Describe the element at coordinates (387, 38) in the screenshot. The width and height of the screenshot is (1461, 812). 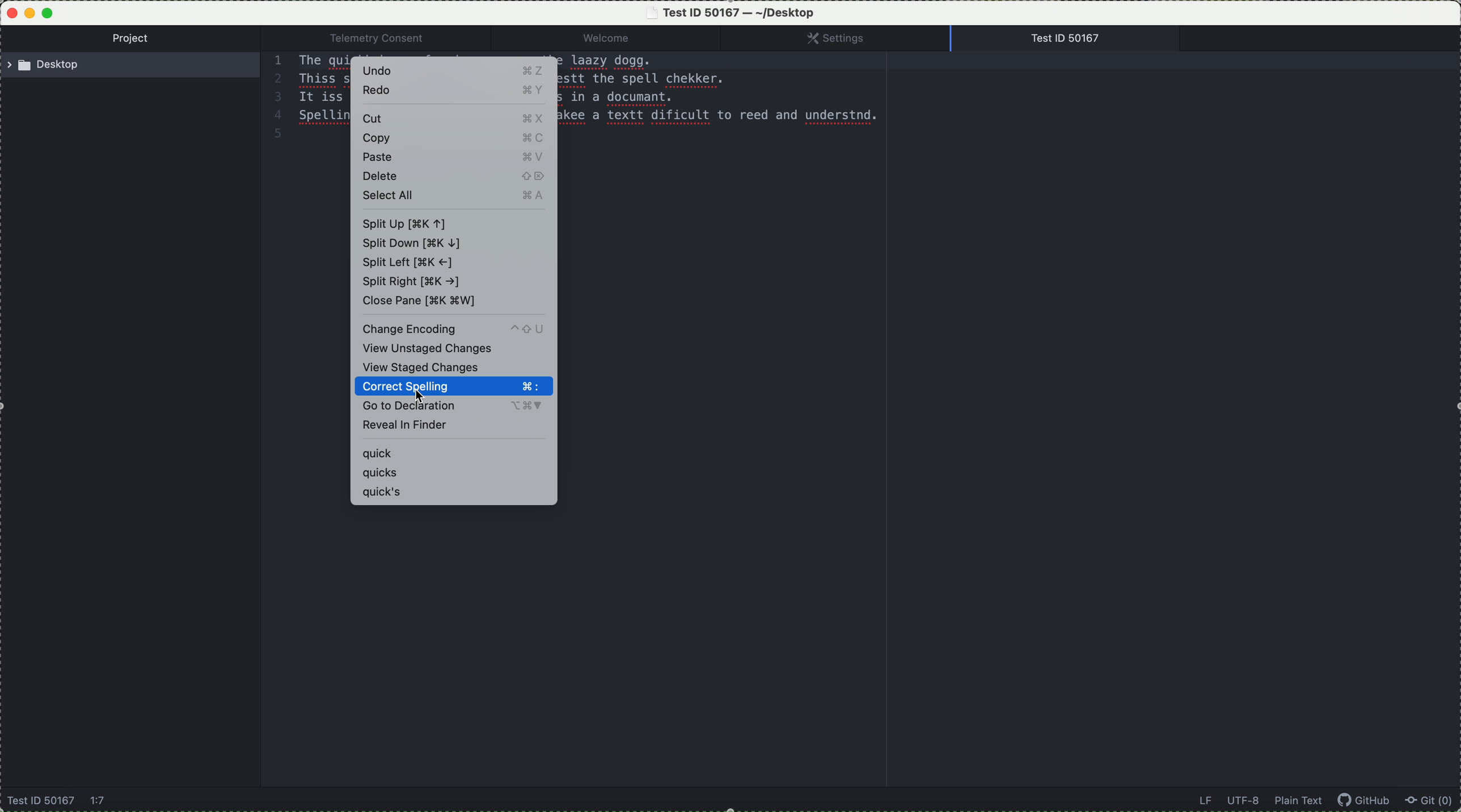
I see `Telemetry consent` at that location.